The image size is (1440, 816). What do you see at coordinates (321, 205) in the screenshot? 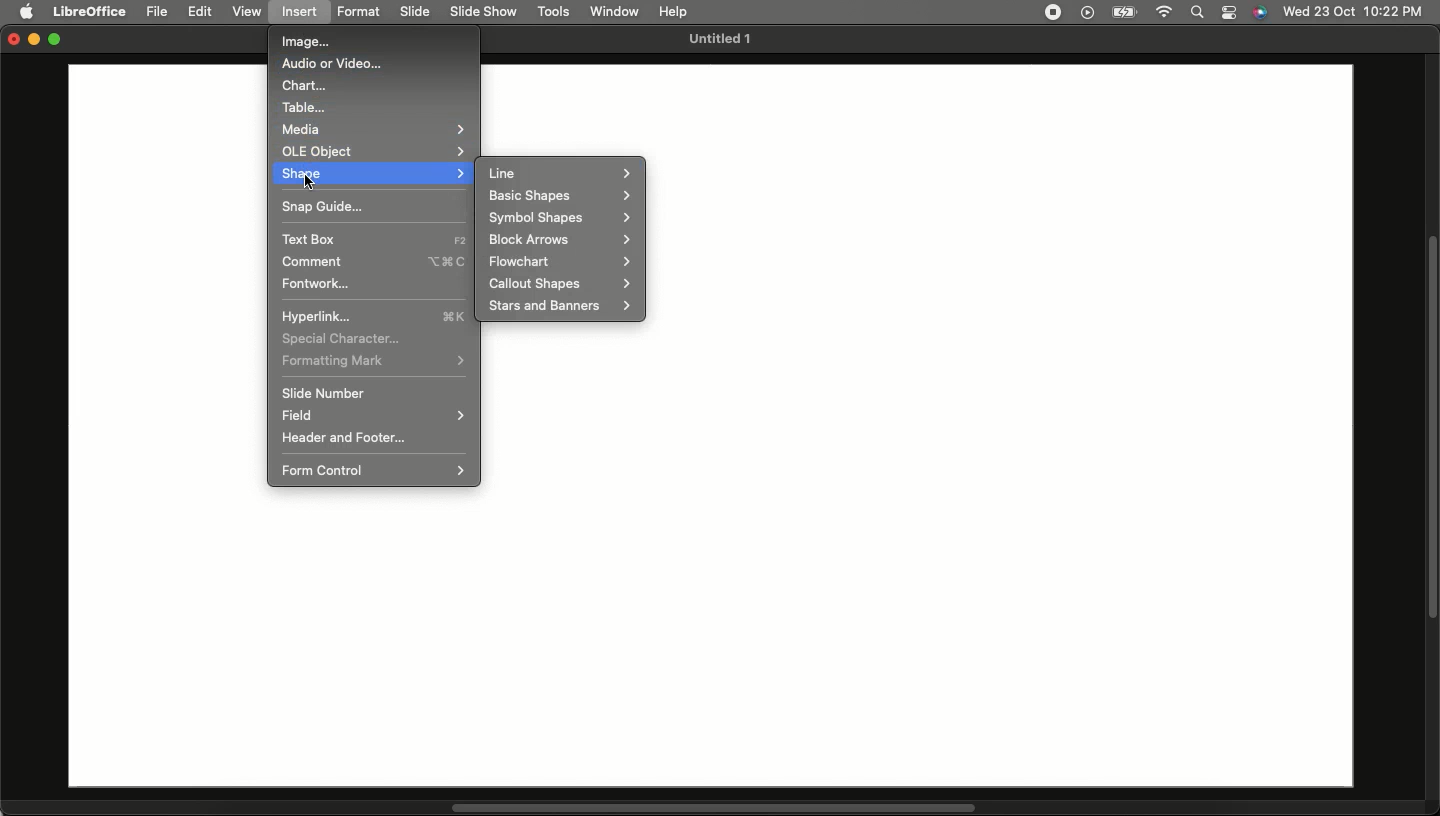
I see `Snap guide` at bounding box center [321, 205].